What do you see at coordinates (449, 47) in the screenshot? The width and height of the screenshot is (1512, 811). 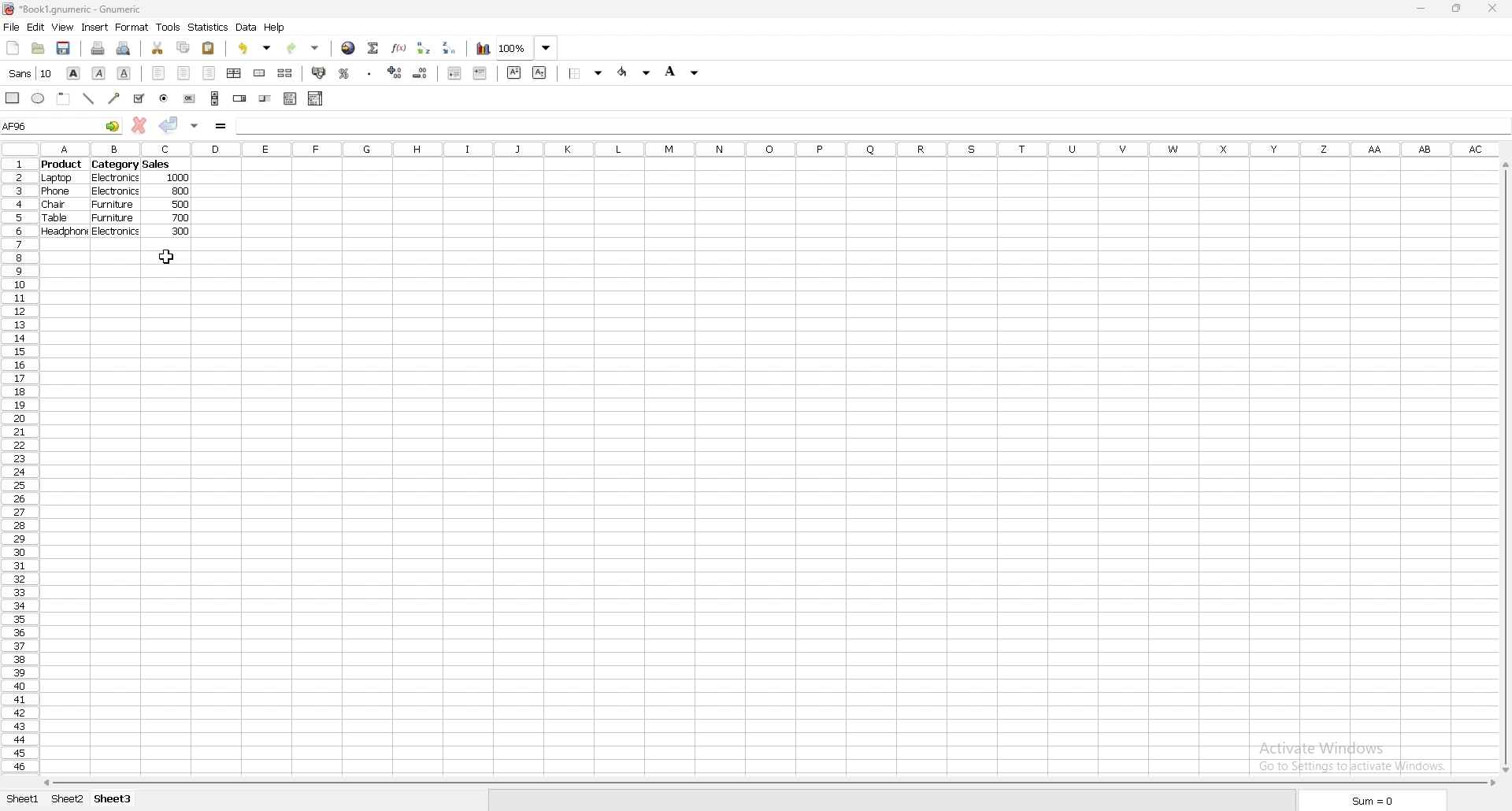 I see `sort descending` at bounding box center [449, 47].